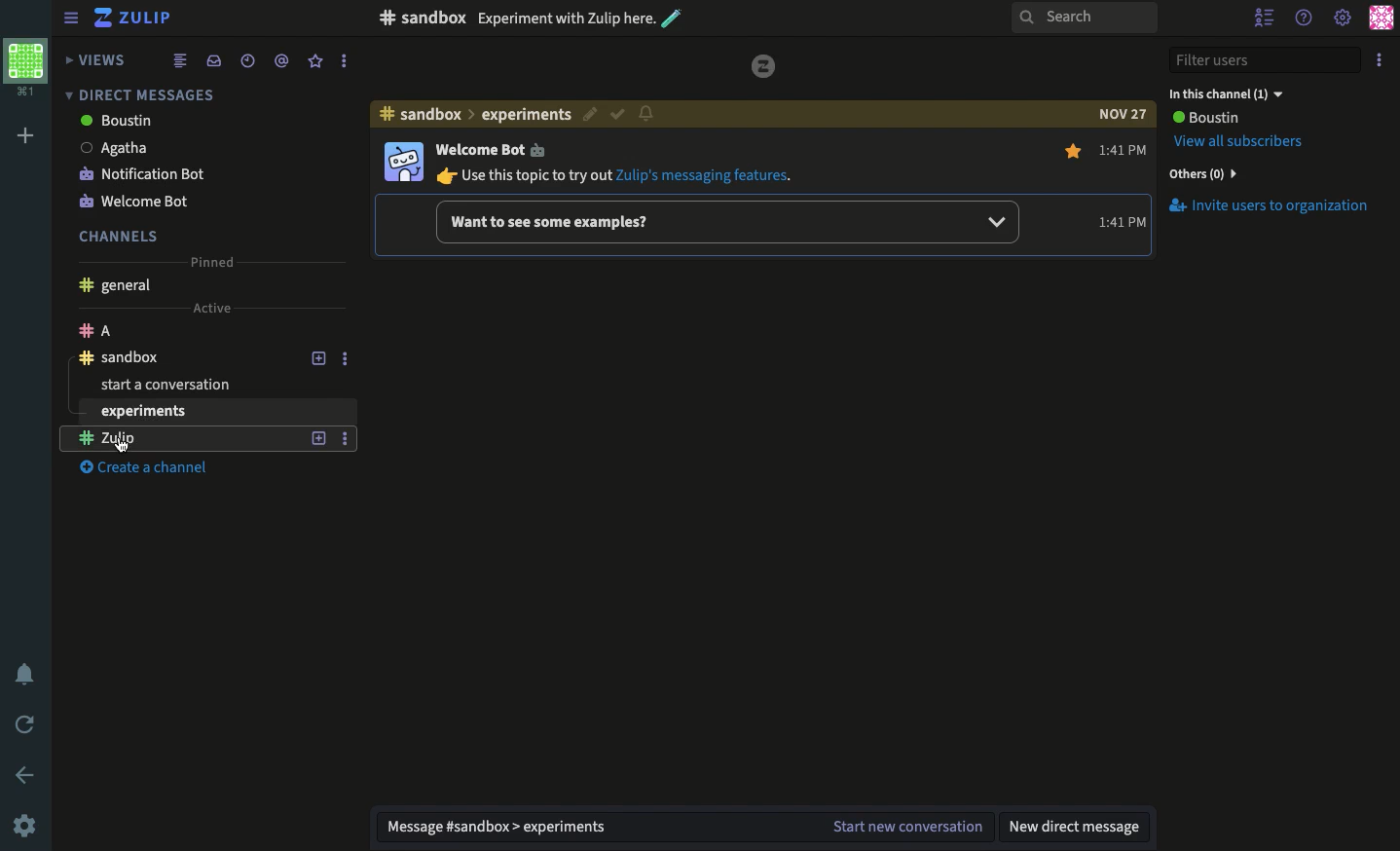  What do you see at coordinates (210, 306) in the screenshot?
I see `Active` at bounding box center [210, 306].